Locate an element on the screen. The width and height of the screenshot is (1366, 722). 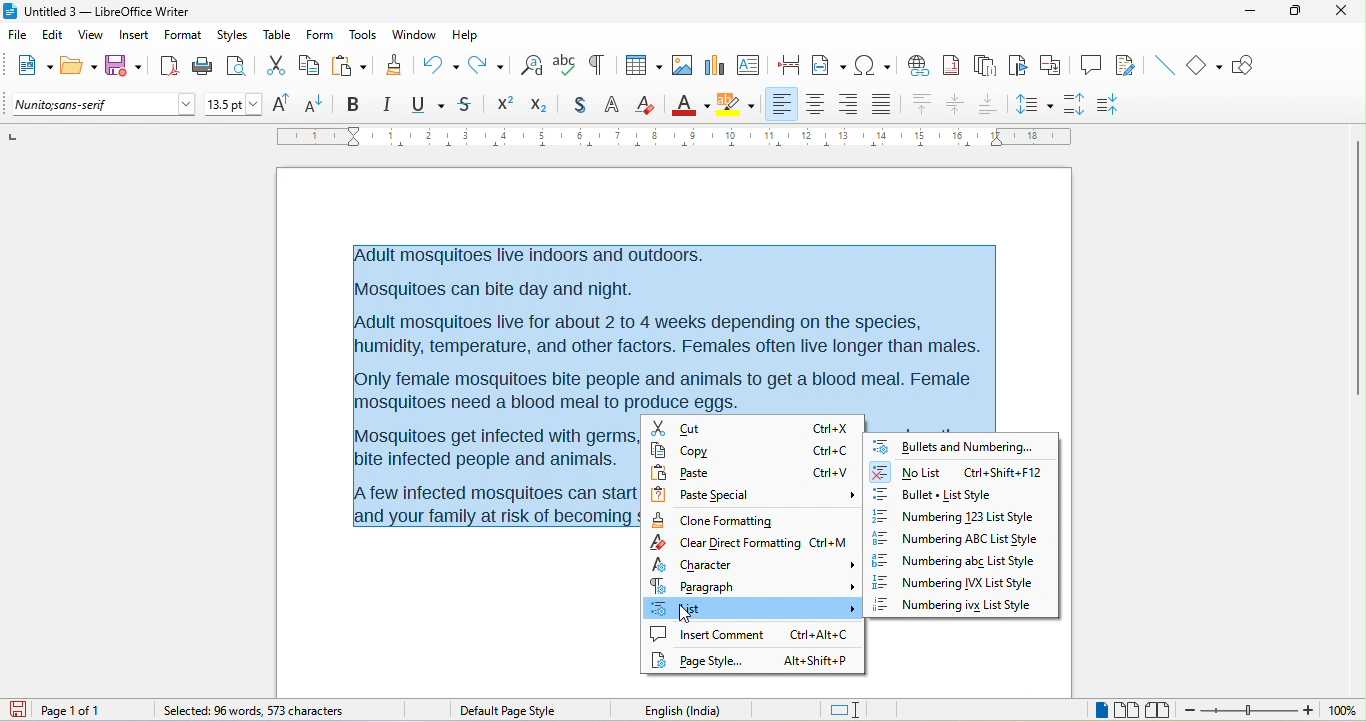
ruler is located at coordinates (673, 137).